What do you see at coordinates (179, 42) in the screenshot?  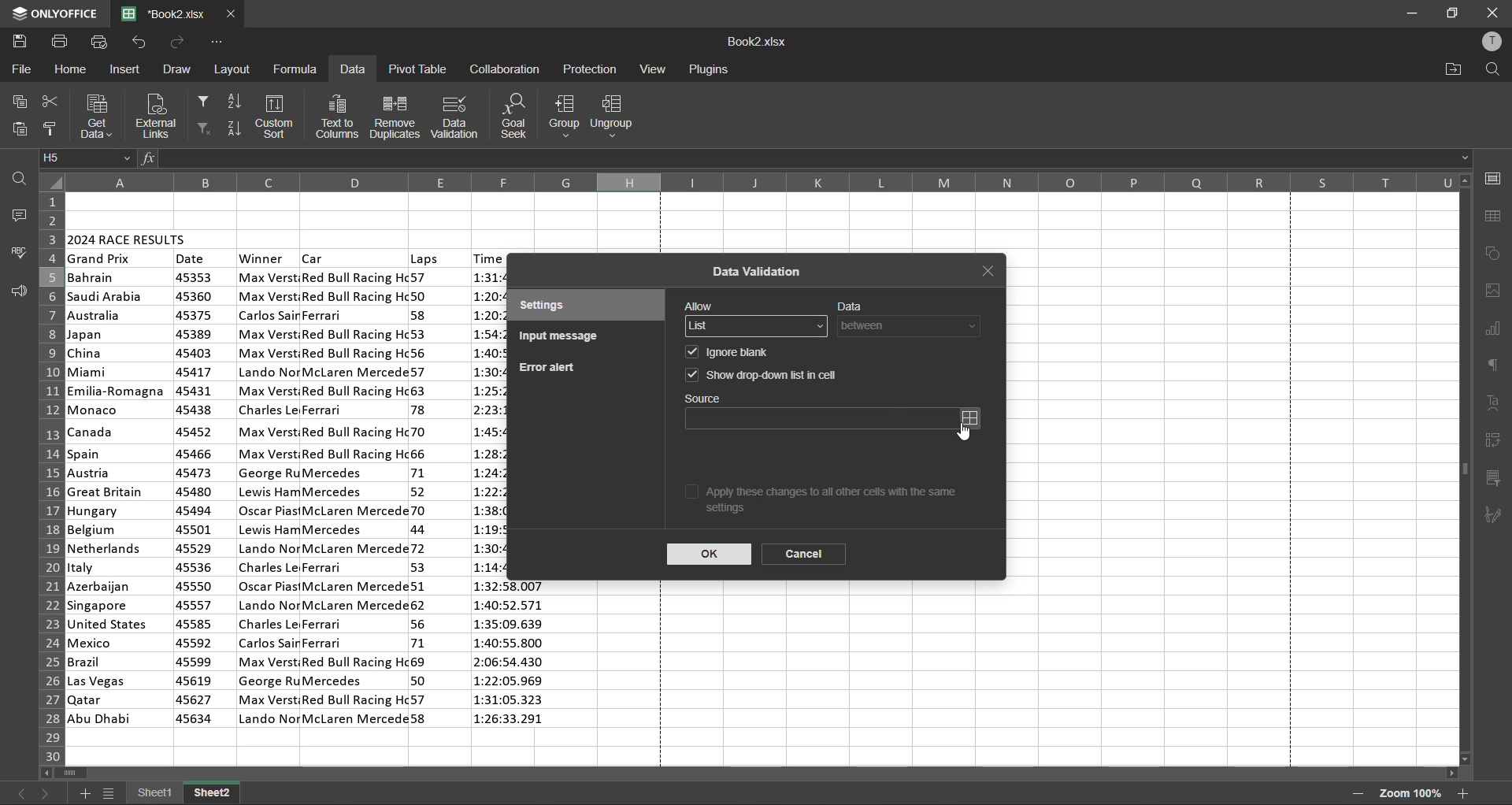 I see `redo` at bounding box center [179, 42].